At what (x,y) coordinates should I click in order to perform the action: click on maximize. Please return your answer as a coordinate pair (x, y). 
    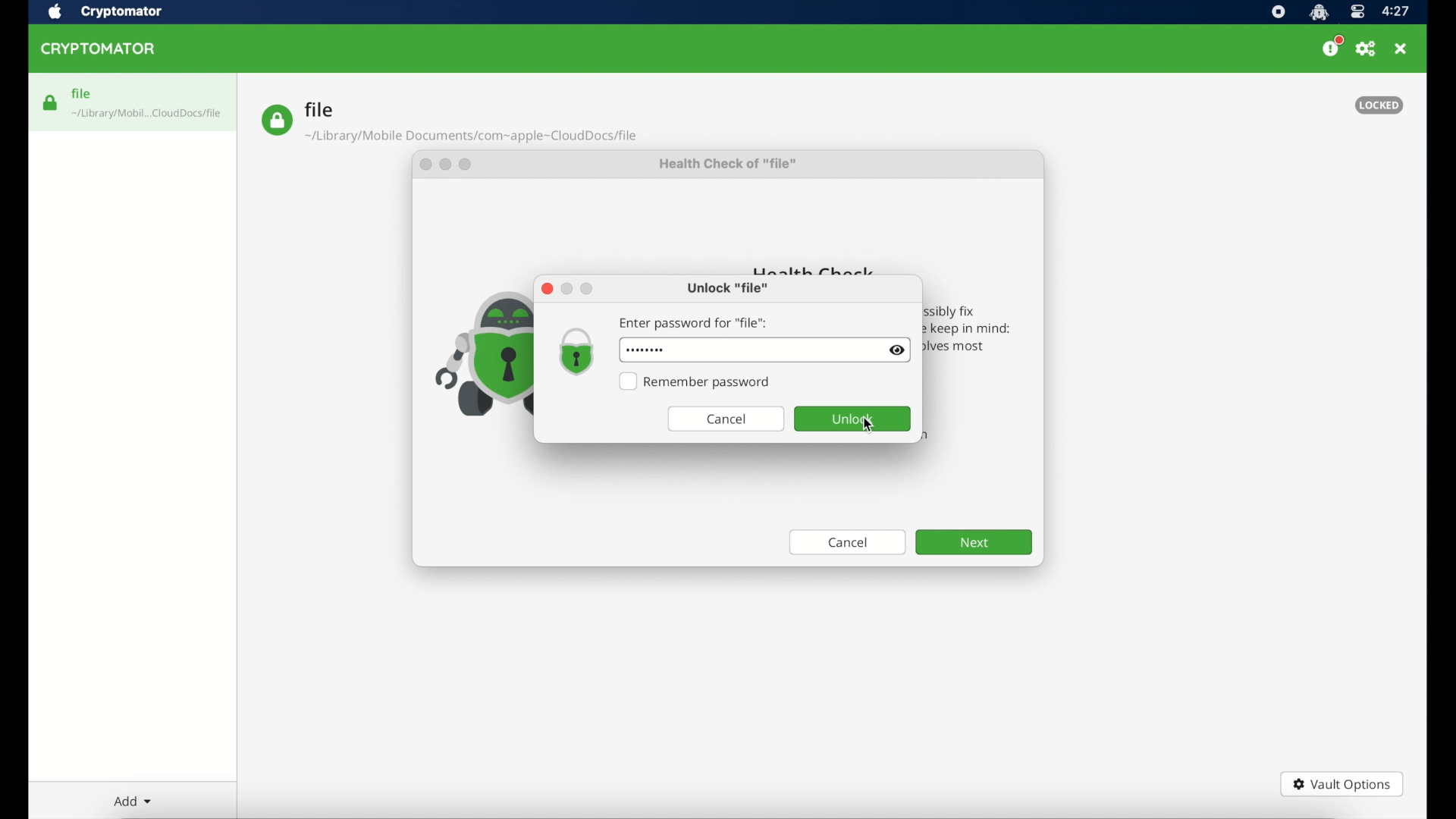
    Looking at the image, I should click on (469, 167).